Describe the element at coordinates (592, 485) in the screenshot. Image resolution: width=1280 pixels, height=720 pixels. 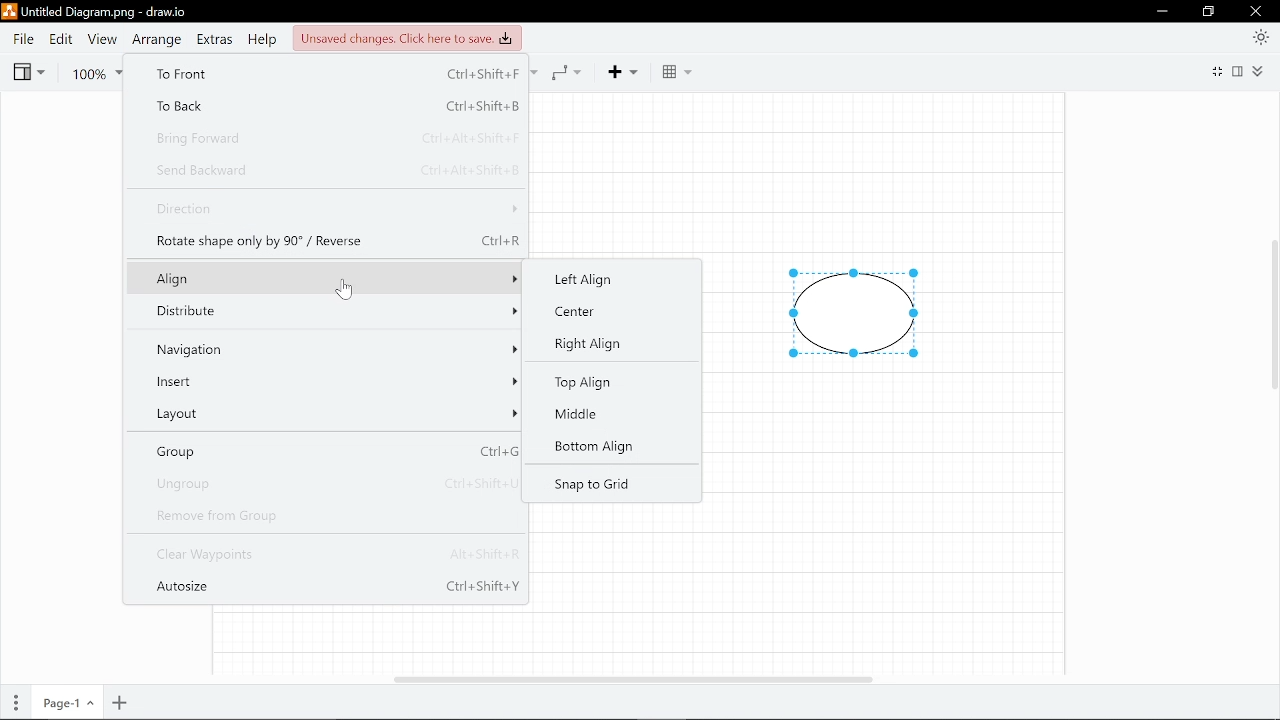
I see `Snap to grid` at that location.